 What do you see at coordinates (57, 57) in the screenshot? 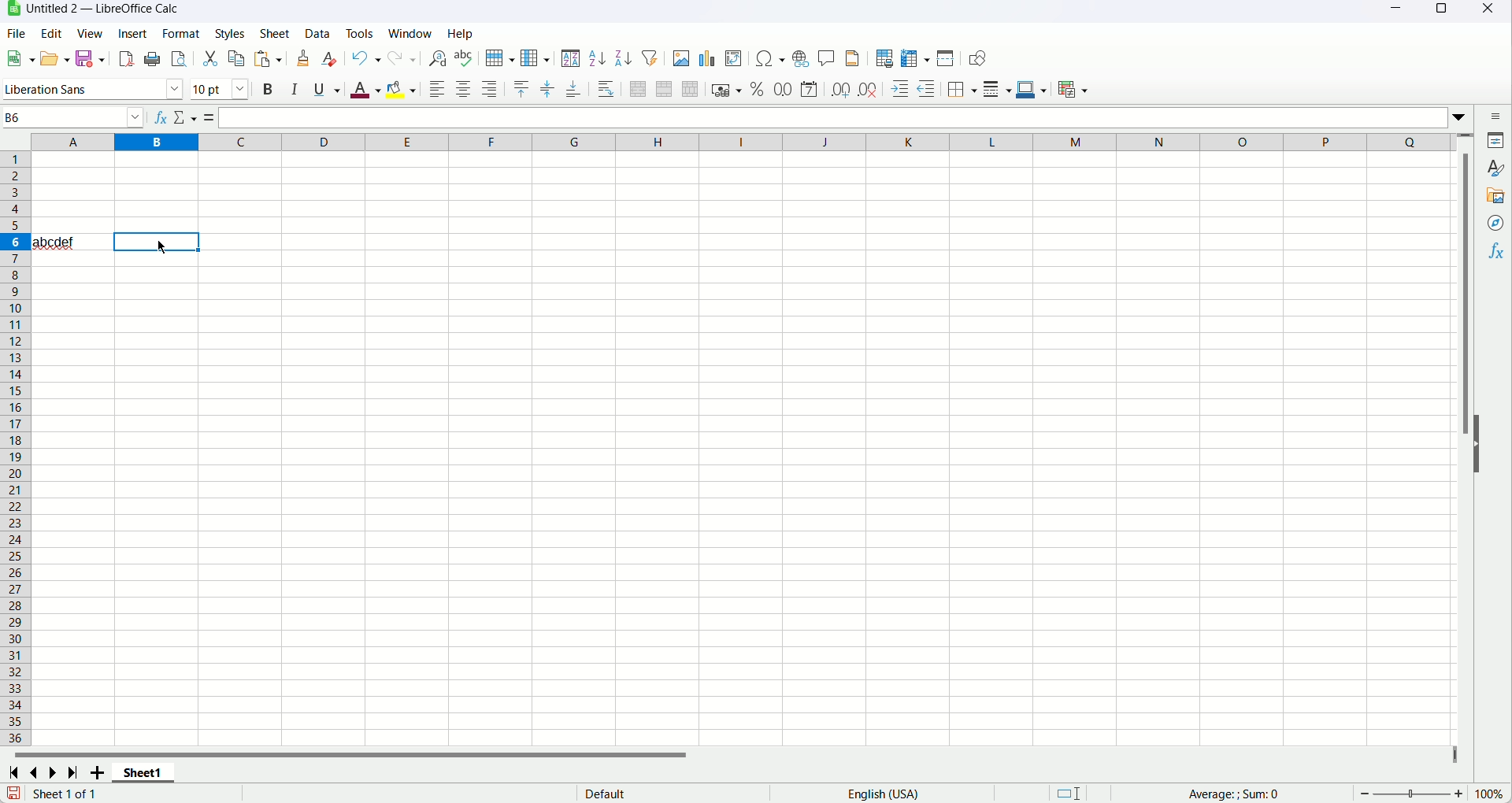
I see `open` at bounding box center [57, 57].